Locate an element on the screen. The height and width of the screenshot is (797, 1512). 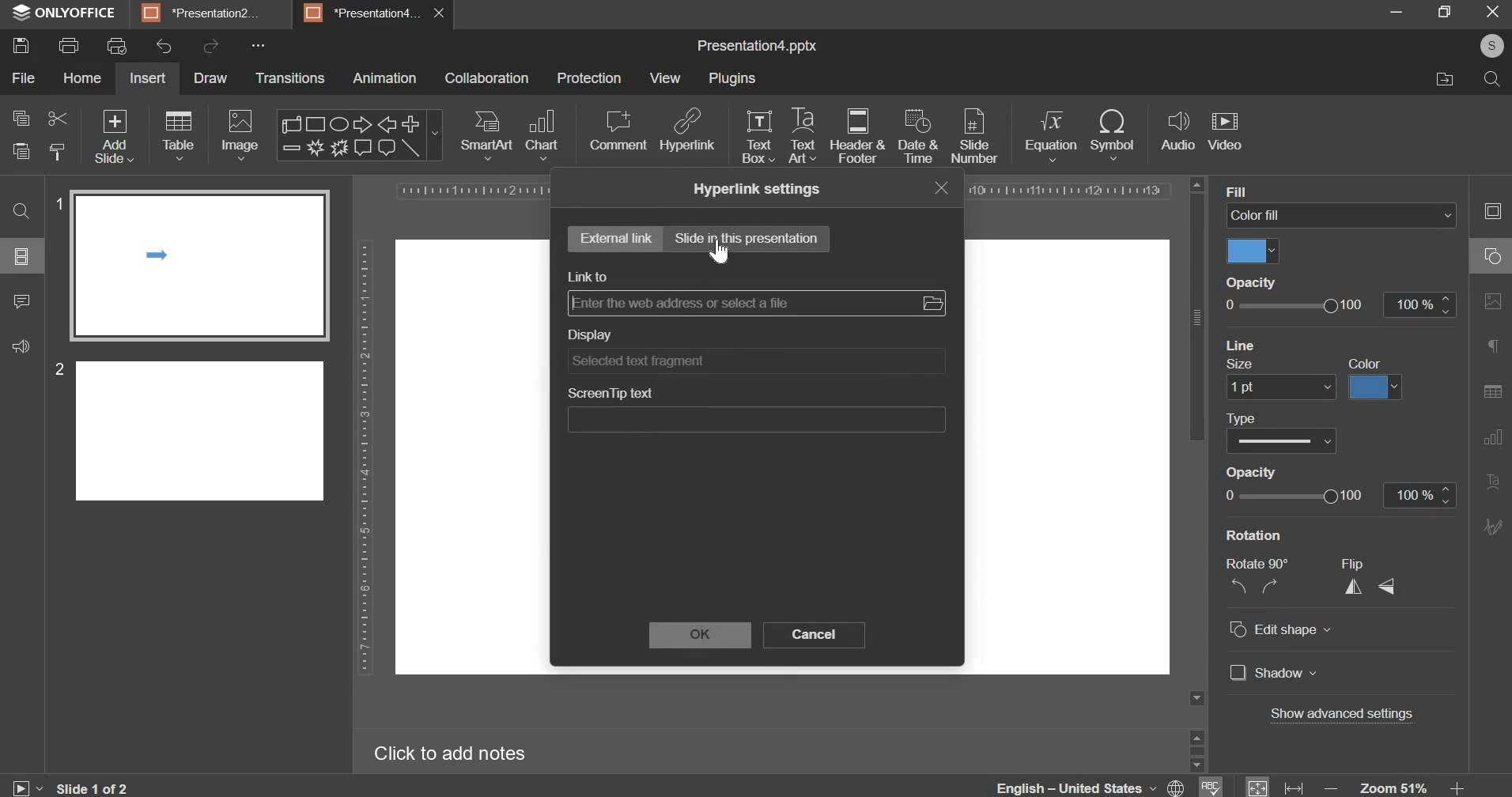
protection is located at coordinates (589, 79).